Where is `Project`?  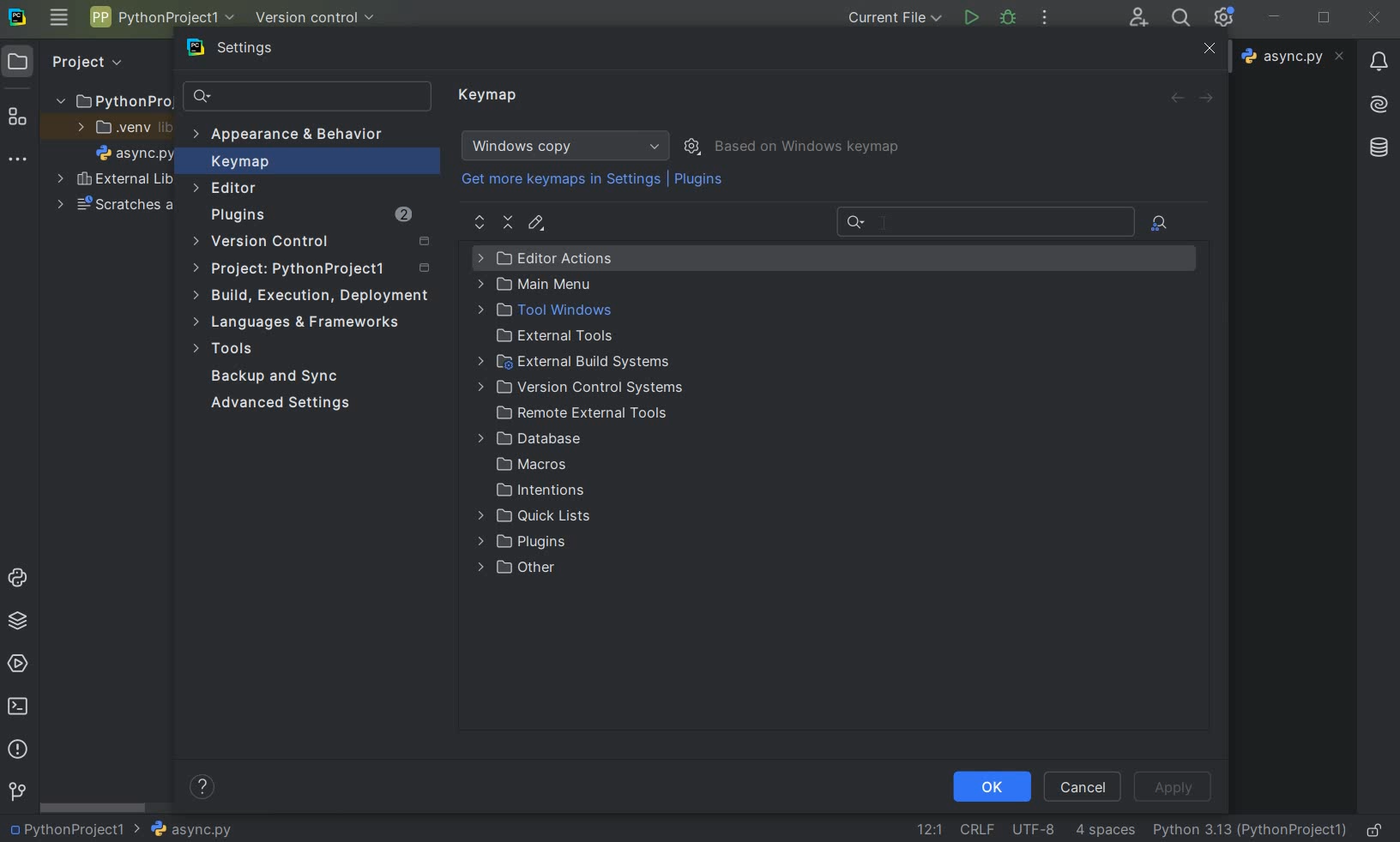 Project is located at coordinates (85, 60).